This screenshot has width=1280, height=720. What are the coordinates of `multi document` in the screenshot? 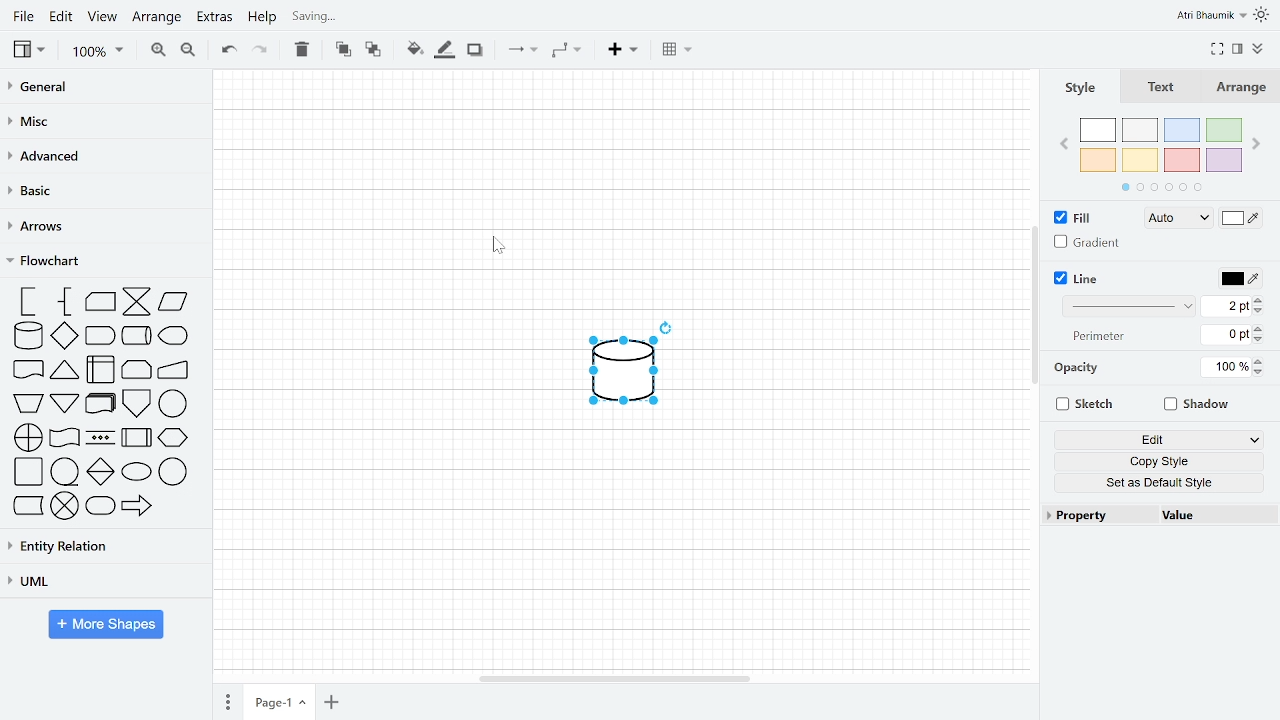 It's located at (99, 405).